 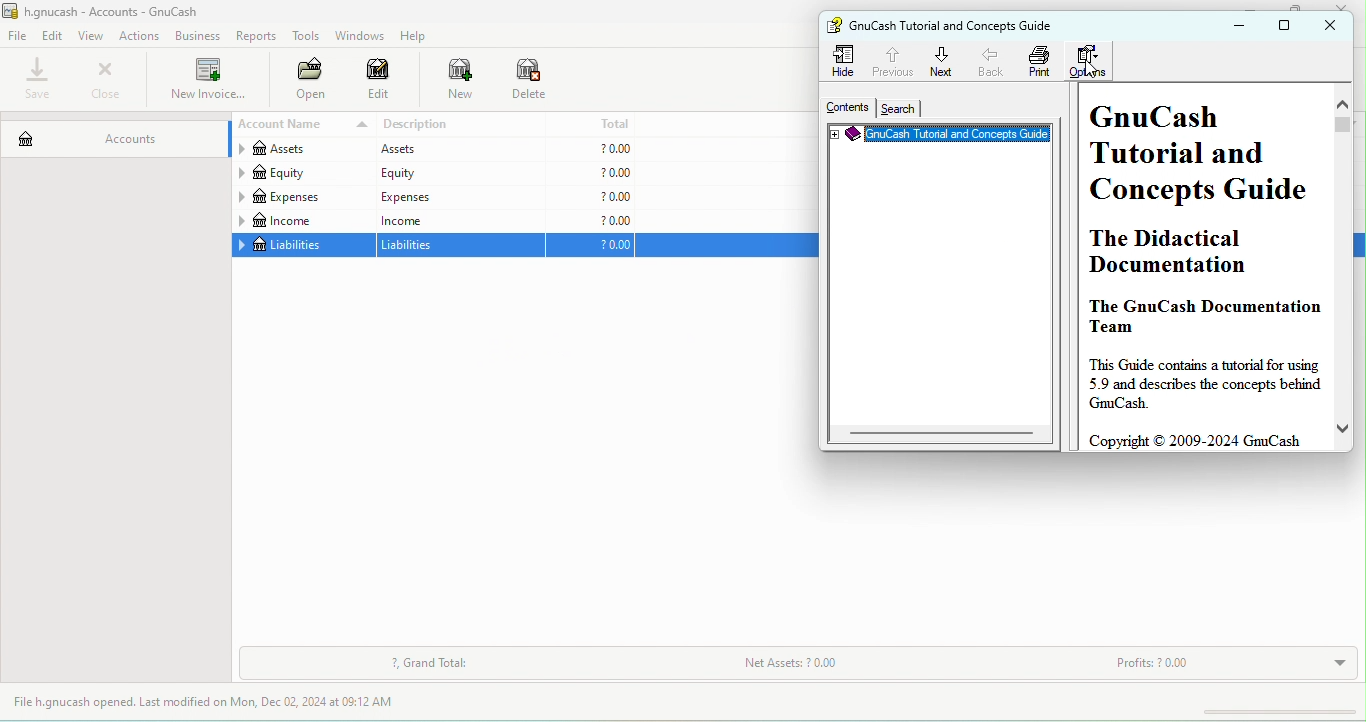 What do you see at coordinates (590, 220) in the screenshot?
I see `?0.00` at bounding box center [590, 220].